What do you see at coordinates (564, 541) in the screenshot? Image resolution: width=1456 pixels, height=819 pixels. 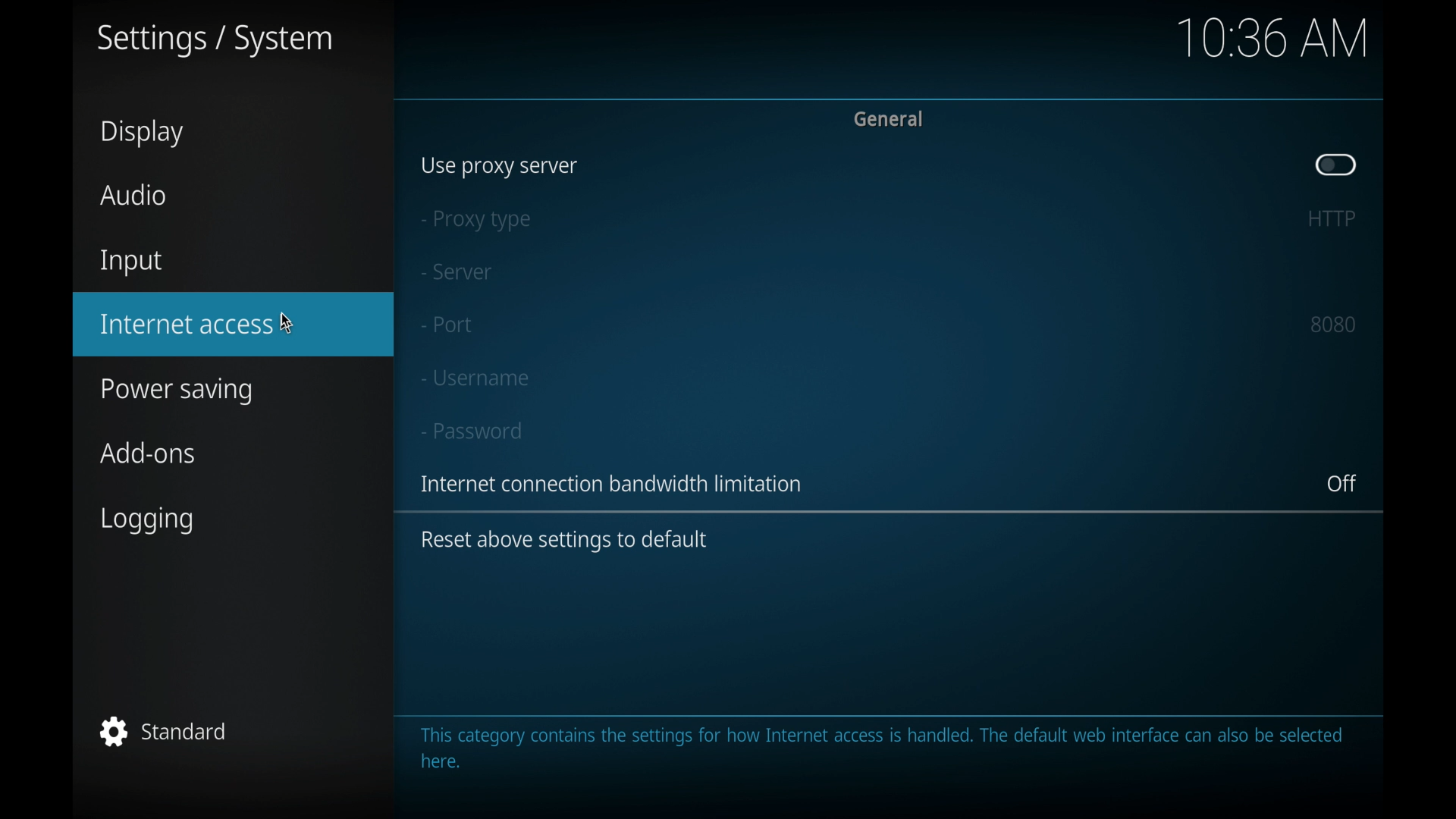 I see `reset above settings to default` at bounding box center [564, 541].